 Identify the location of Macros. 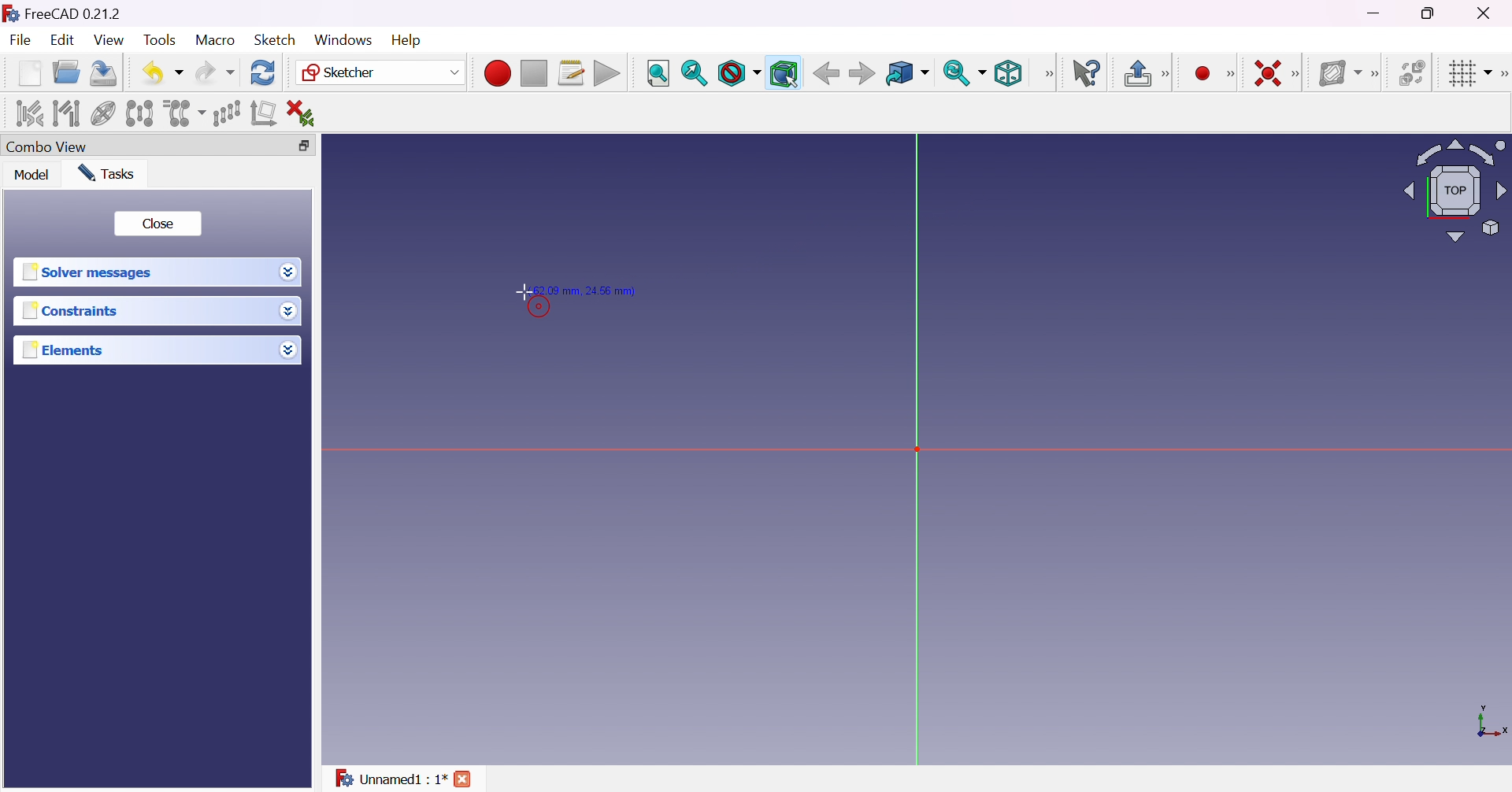
(572, 73).